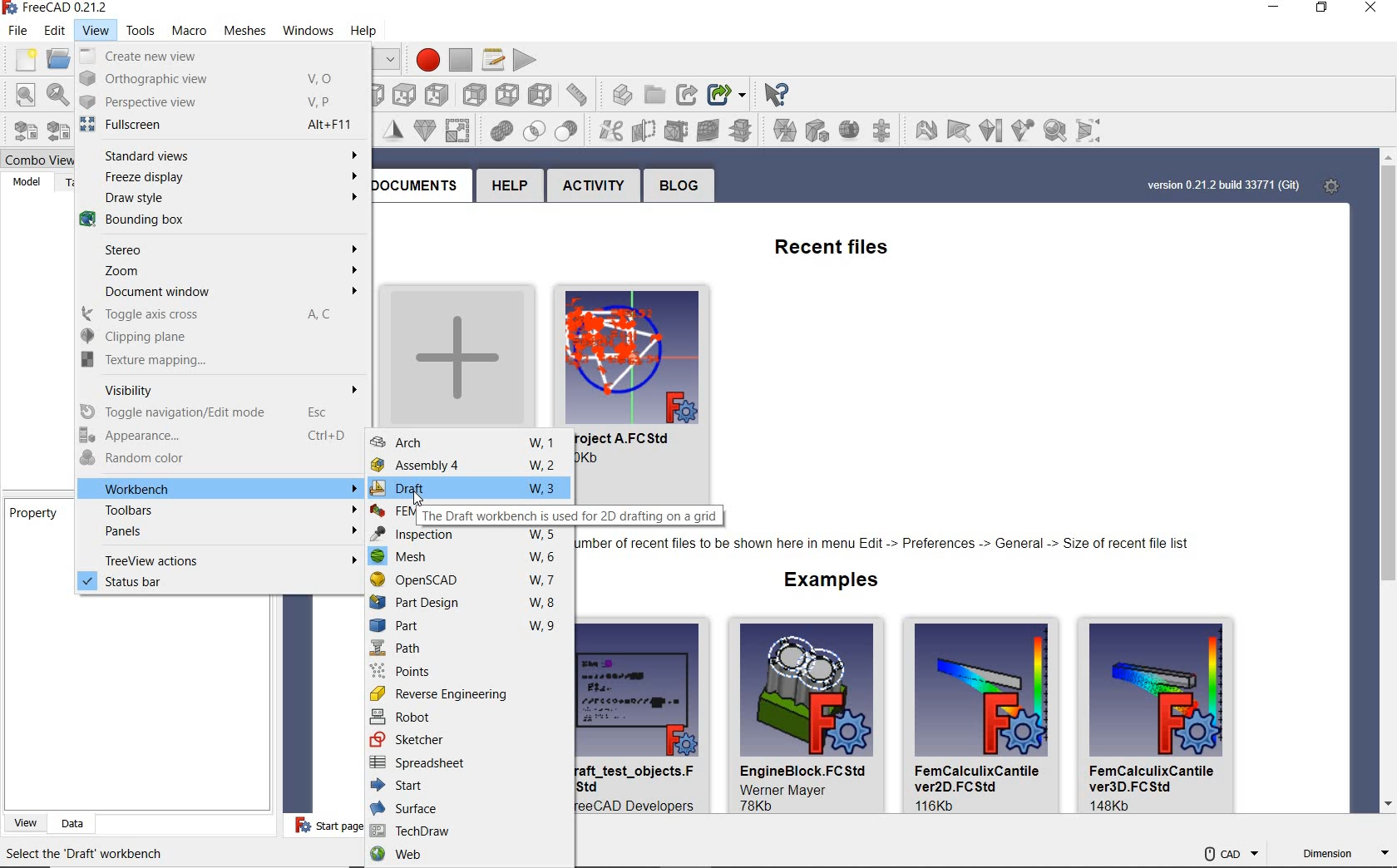 The width and height of the screenshot is (1397, 868). I want to click on import mesh, so click(20, 131).